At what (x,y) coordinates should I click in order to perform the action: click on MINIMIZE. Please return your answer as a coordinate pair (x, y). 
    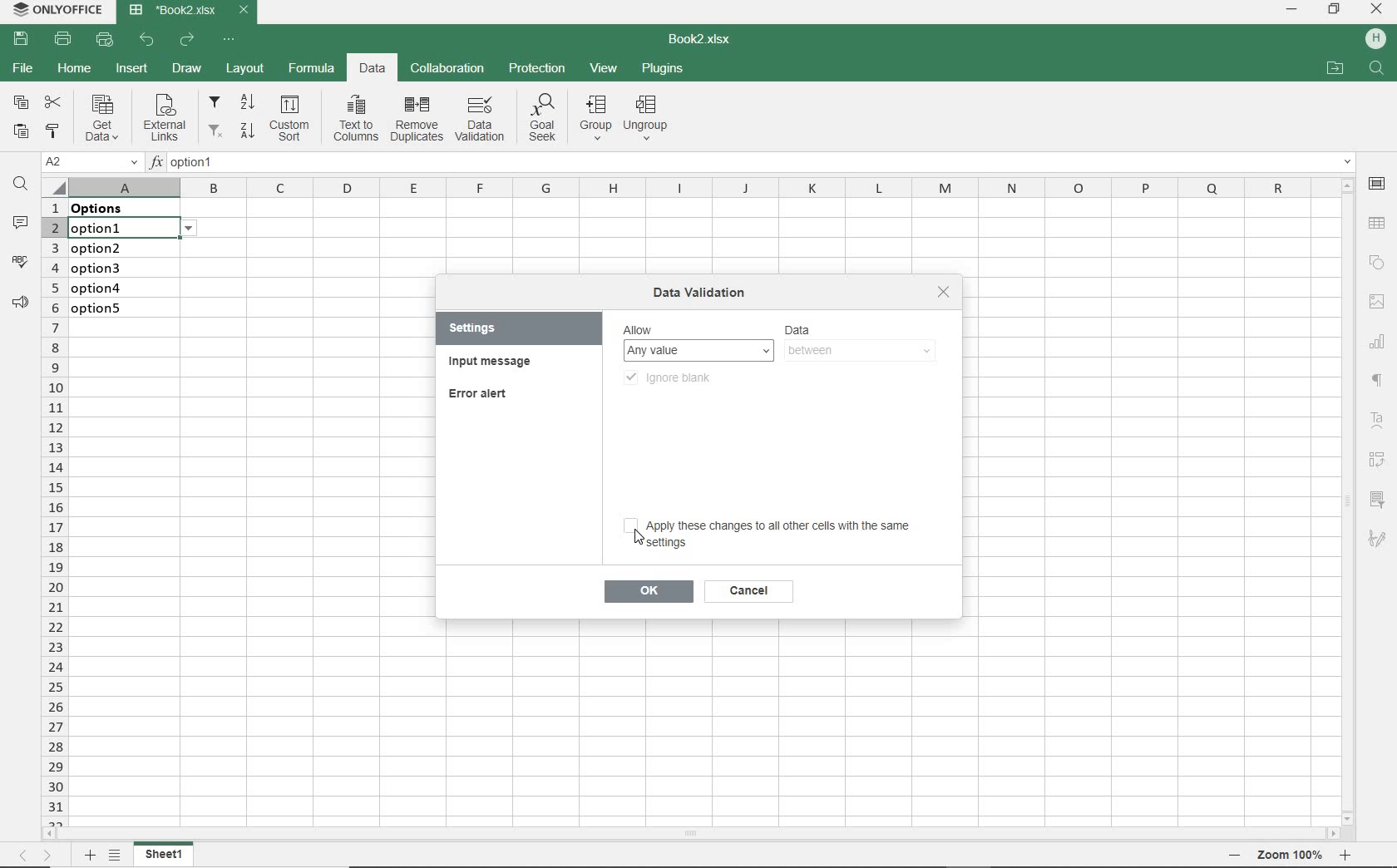
    Looking at the image, I should click on (1291, 9).